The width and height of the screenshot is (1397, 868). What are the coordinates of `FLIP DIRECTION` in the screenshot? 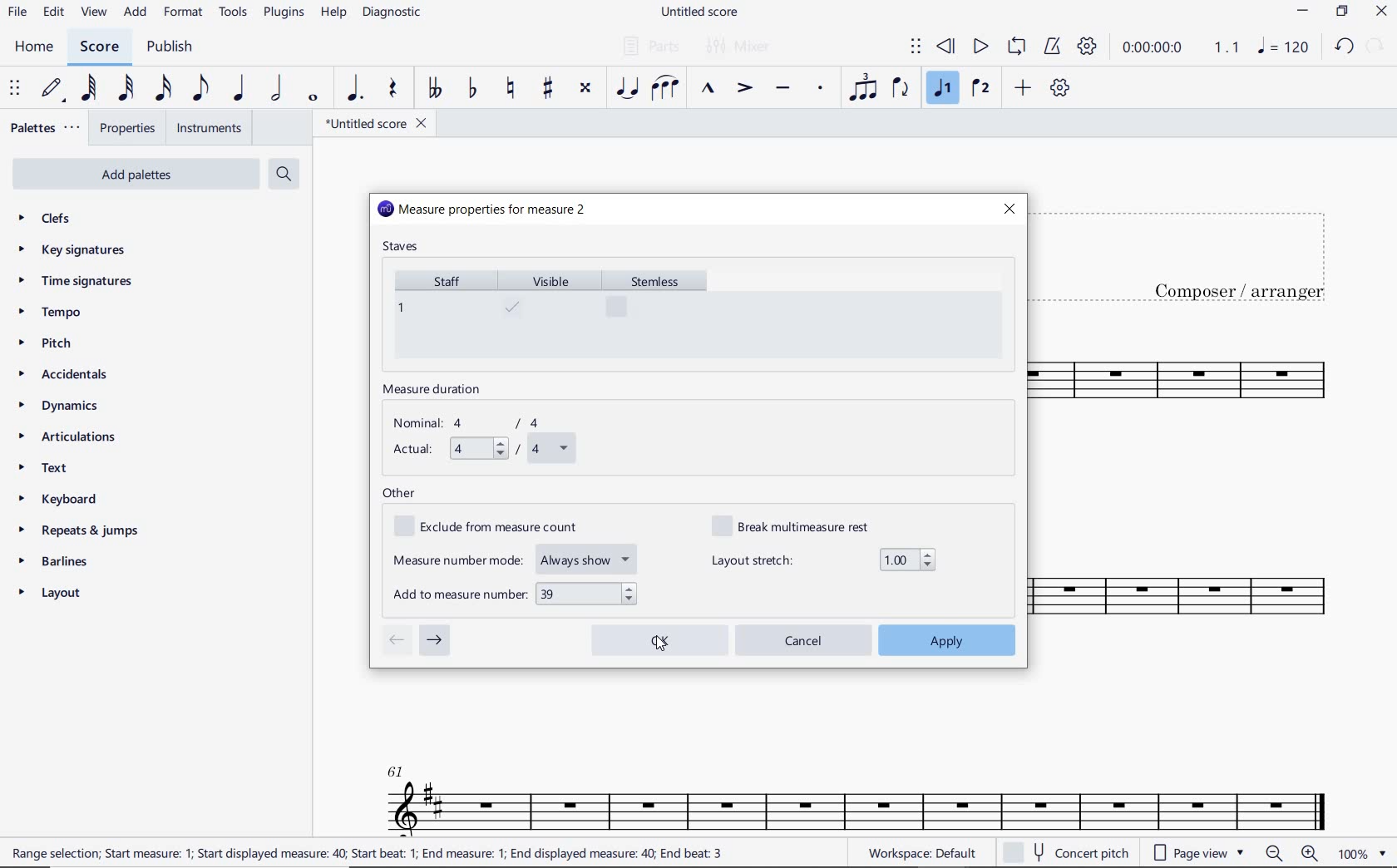 It's located at (901, 90).